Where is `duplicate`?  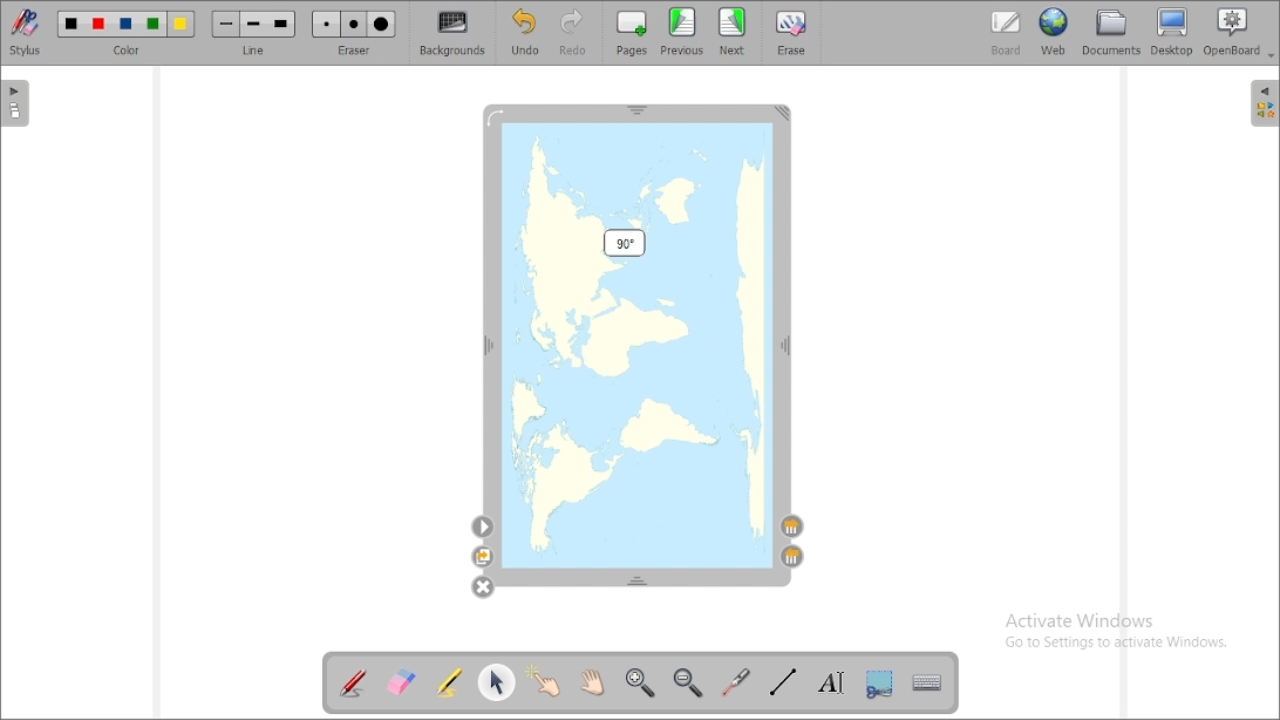
duplicate is located at coordinates (482, 557).